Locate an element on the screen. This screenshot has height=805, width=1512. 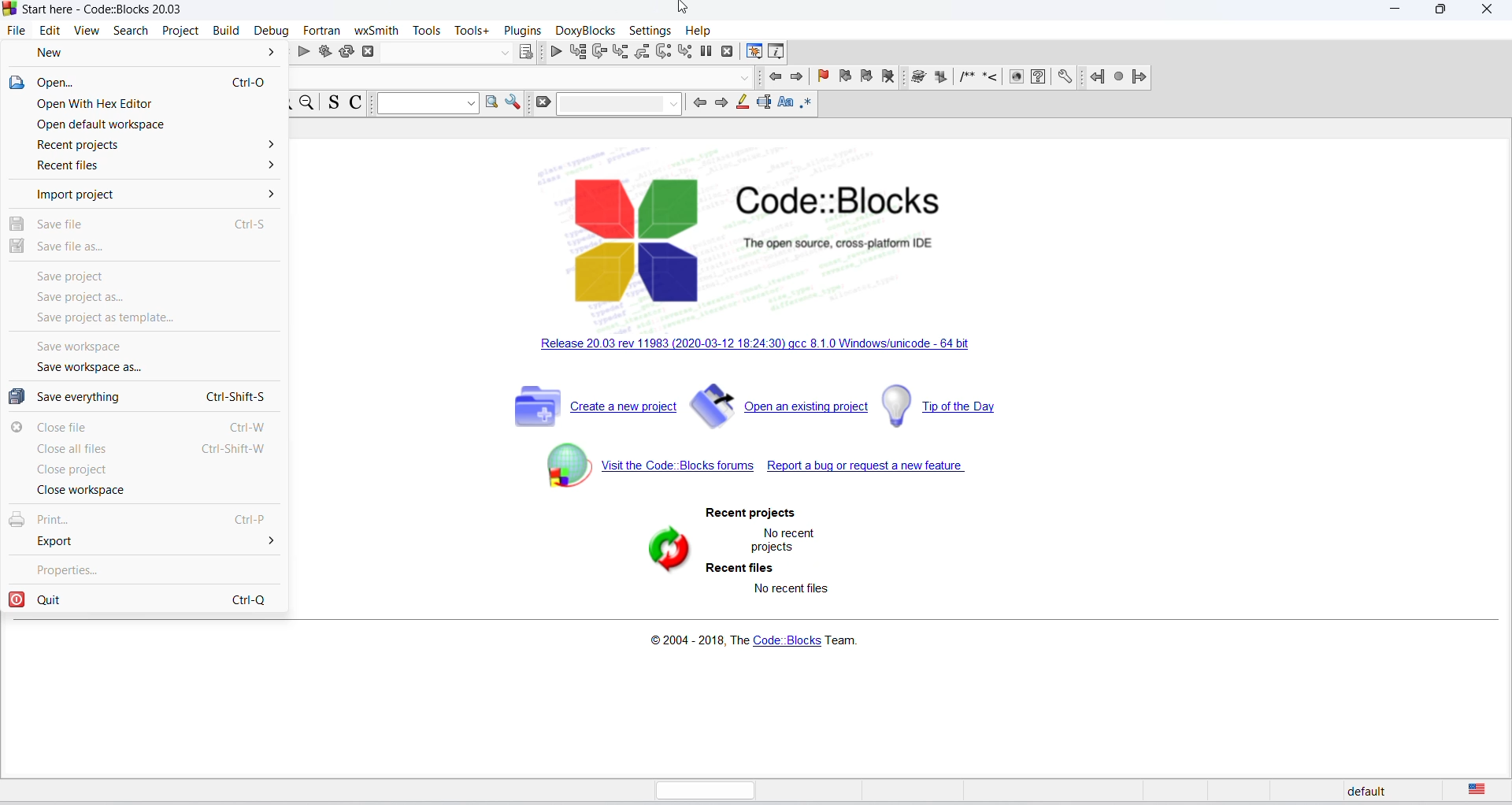
next is located at coordinates (796, 77).